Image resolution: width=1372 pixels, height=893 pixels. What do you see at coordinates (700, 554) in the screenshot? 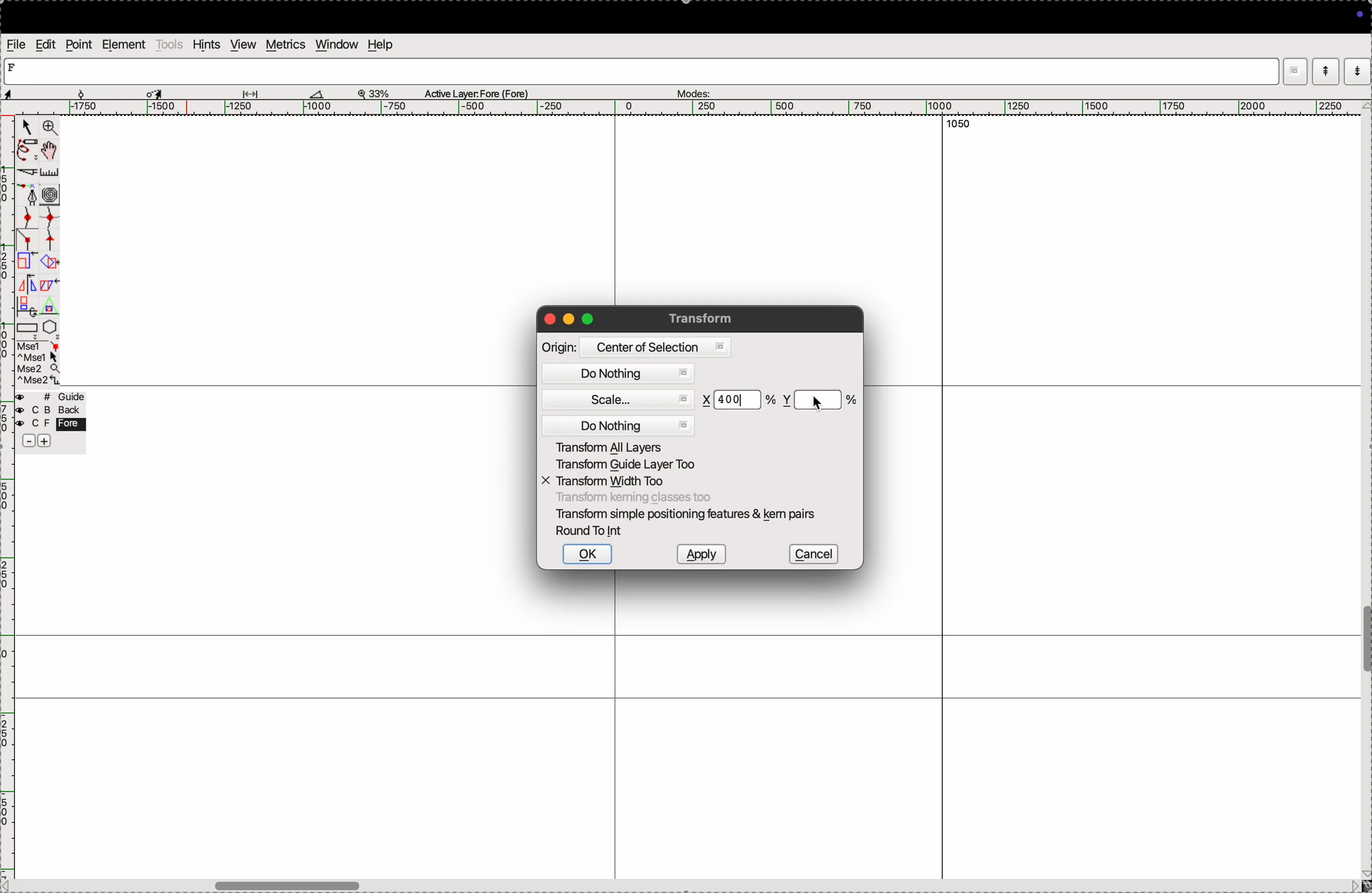
I see `apply` at bounding box center [700, 554].